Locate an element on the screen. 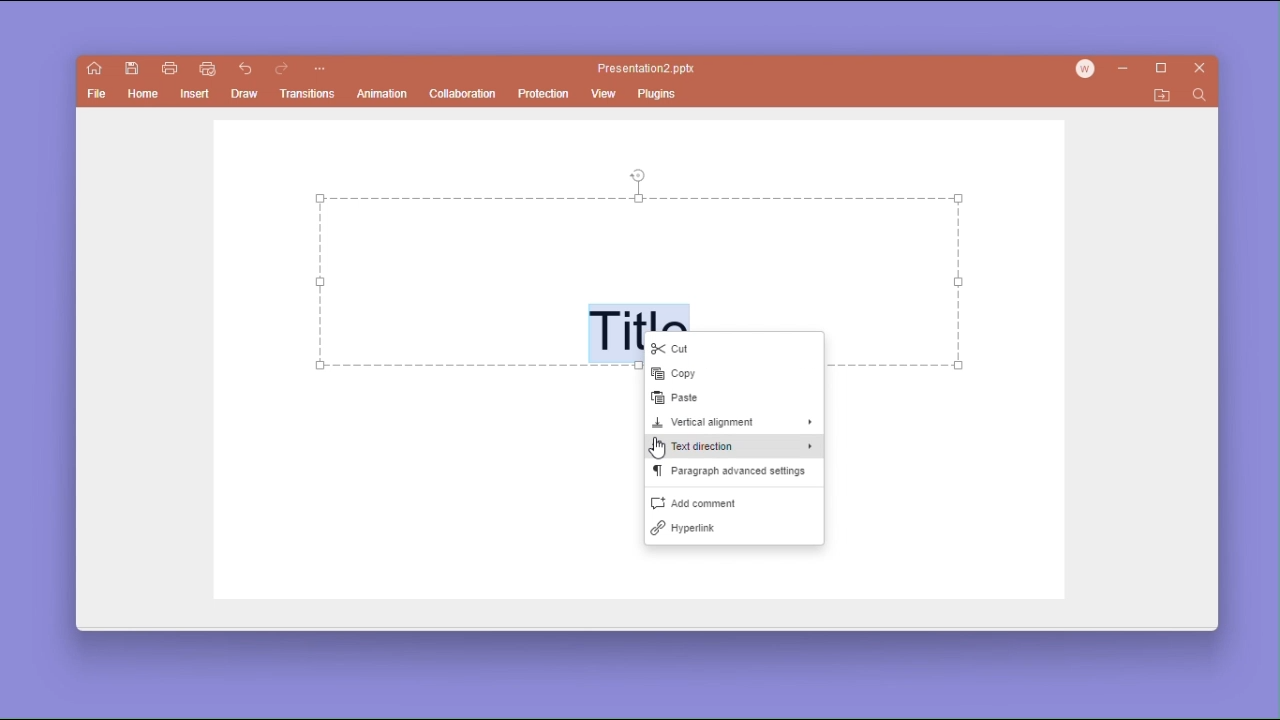  file is located at coordinates (98, 96).